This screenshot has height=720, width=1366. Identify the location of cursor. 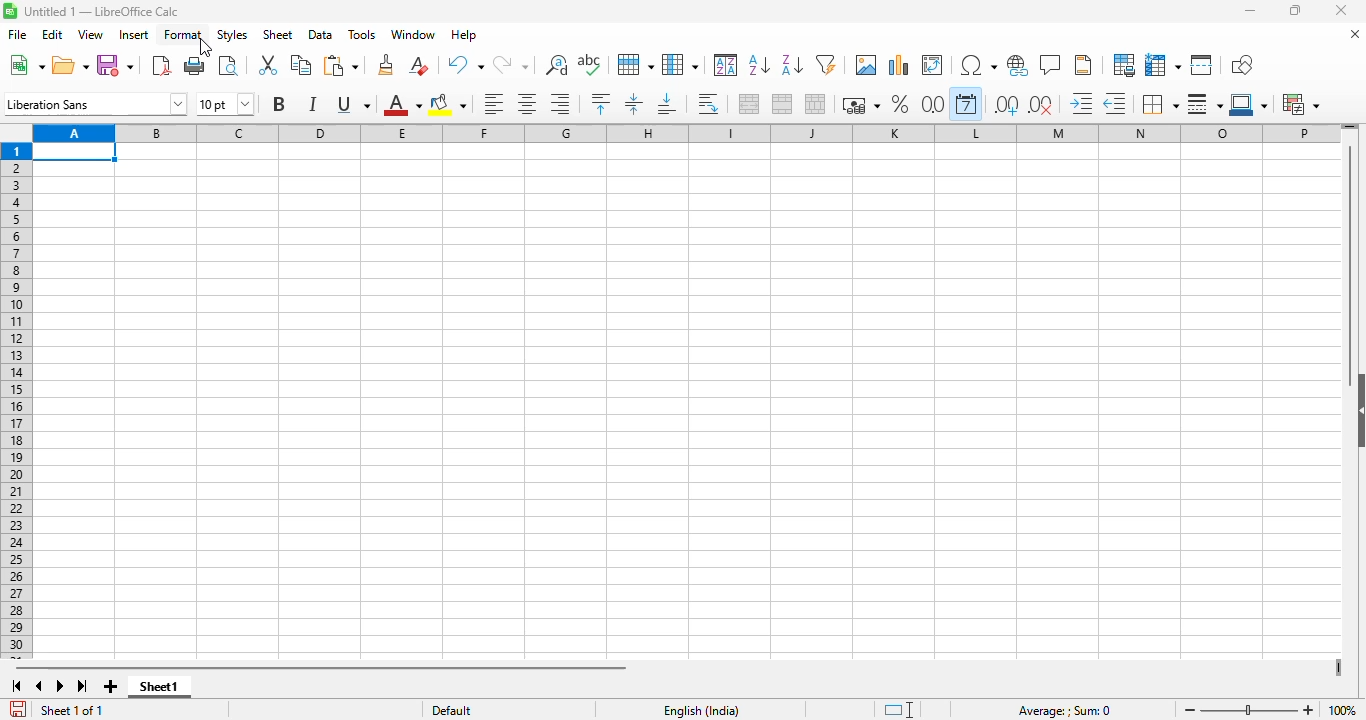
(206, 48).